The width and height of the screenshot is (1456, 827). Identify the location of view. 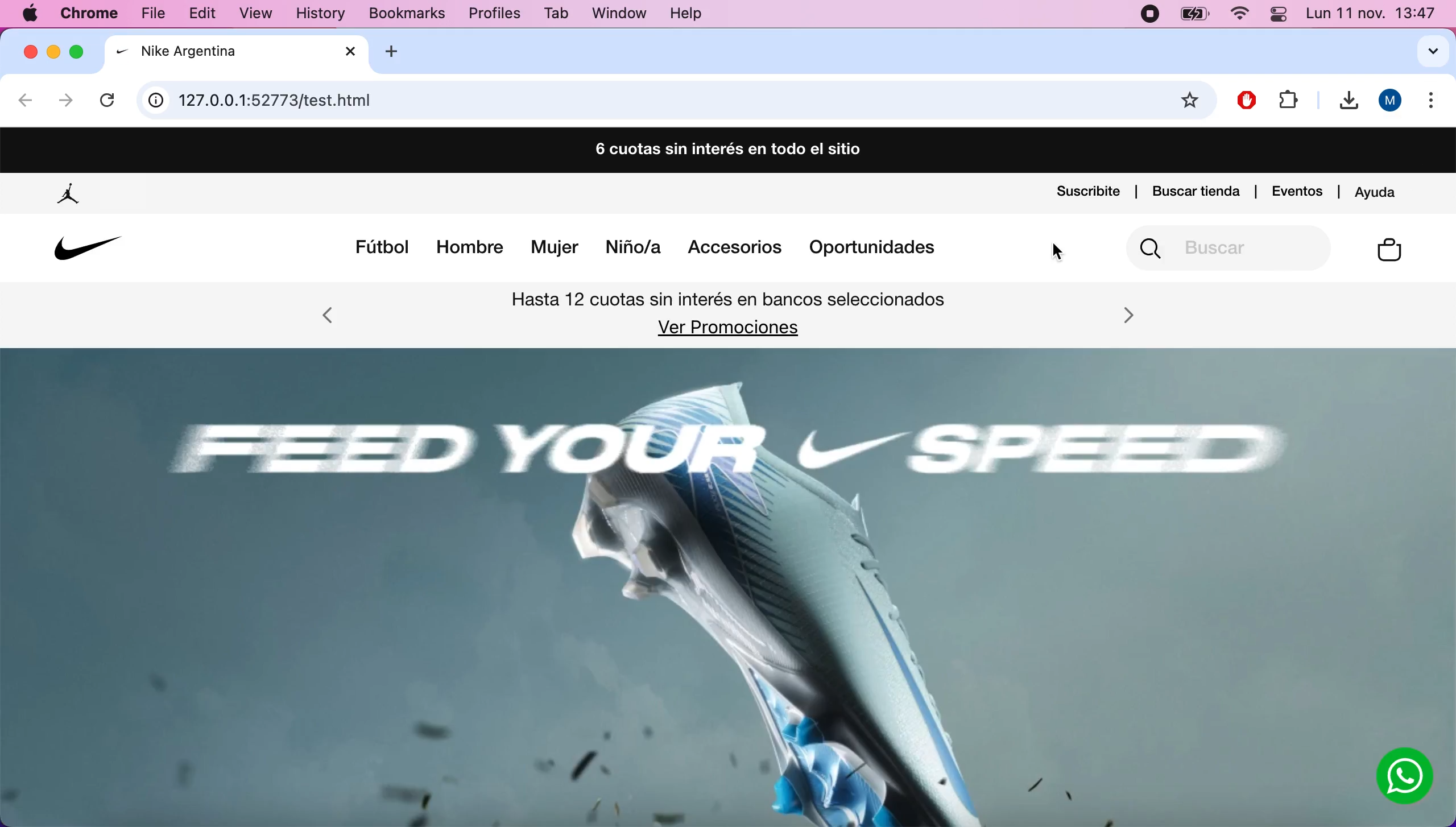
(263, 15).